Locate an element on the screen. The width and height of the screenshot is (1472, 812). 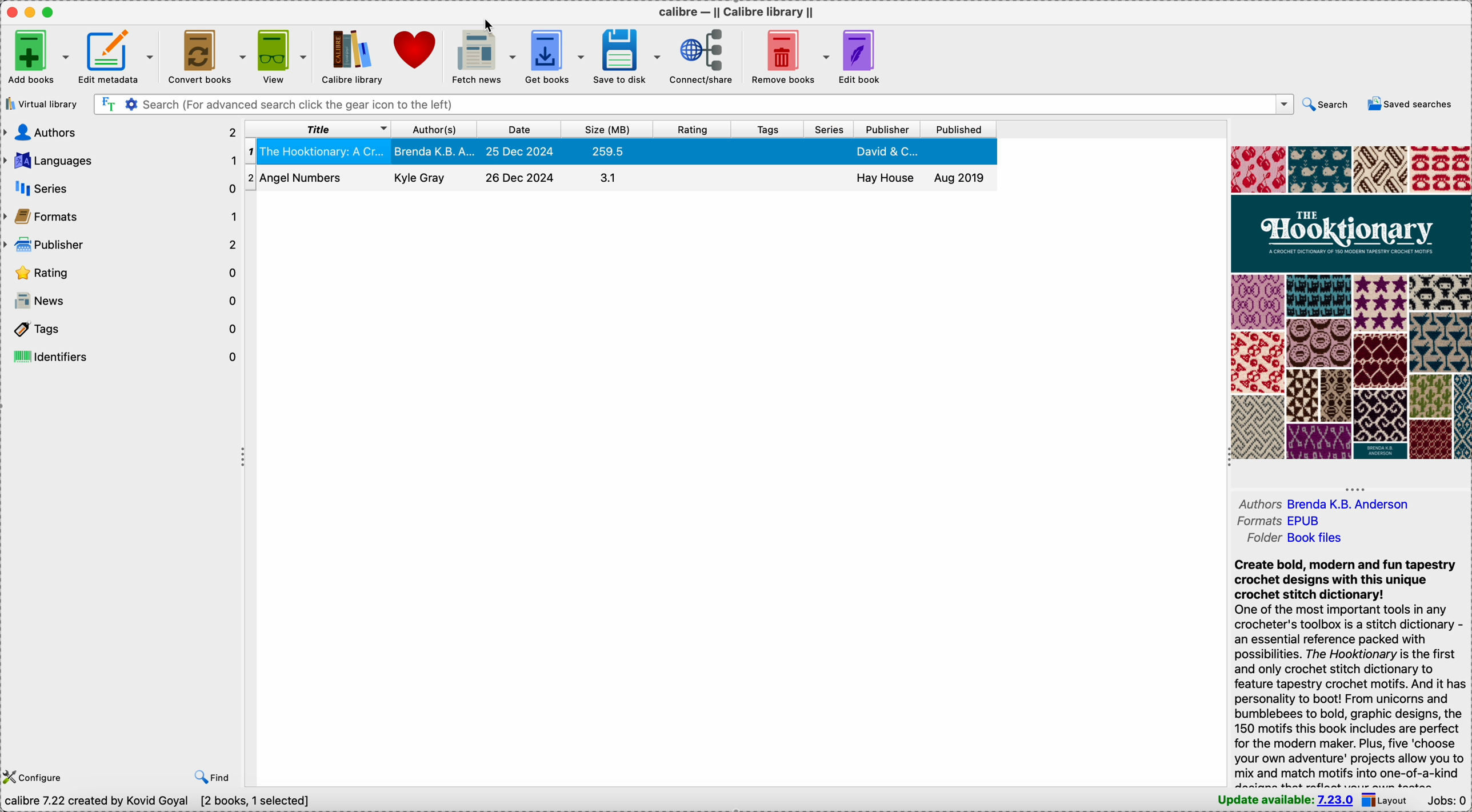
formats is located at coordinates (1275, 522).